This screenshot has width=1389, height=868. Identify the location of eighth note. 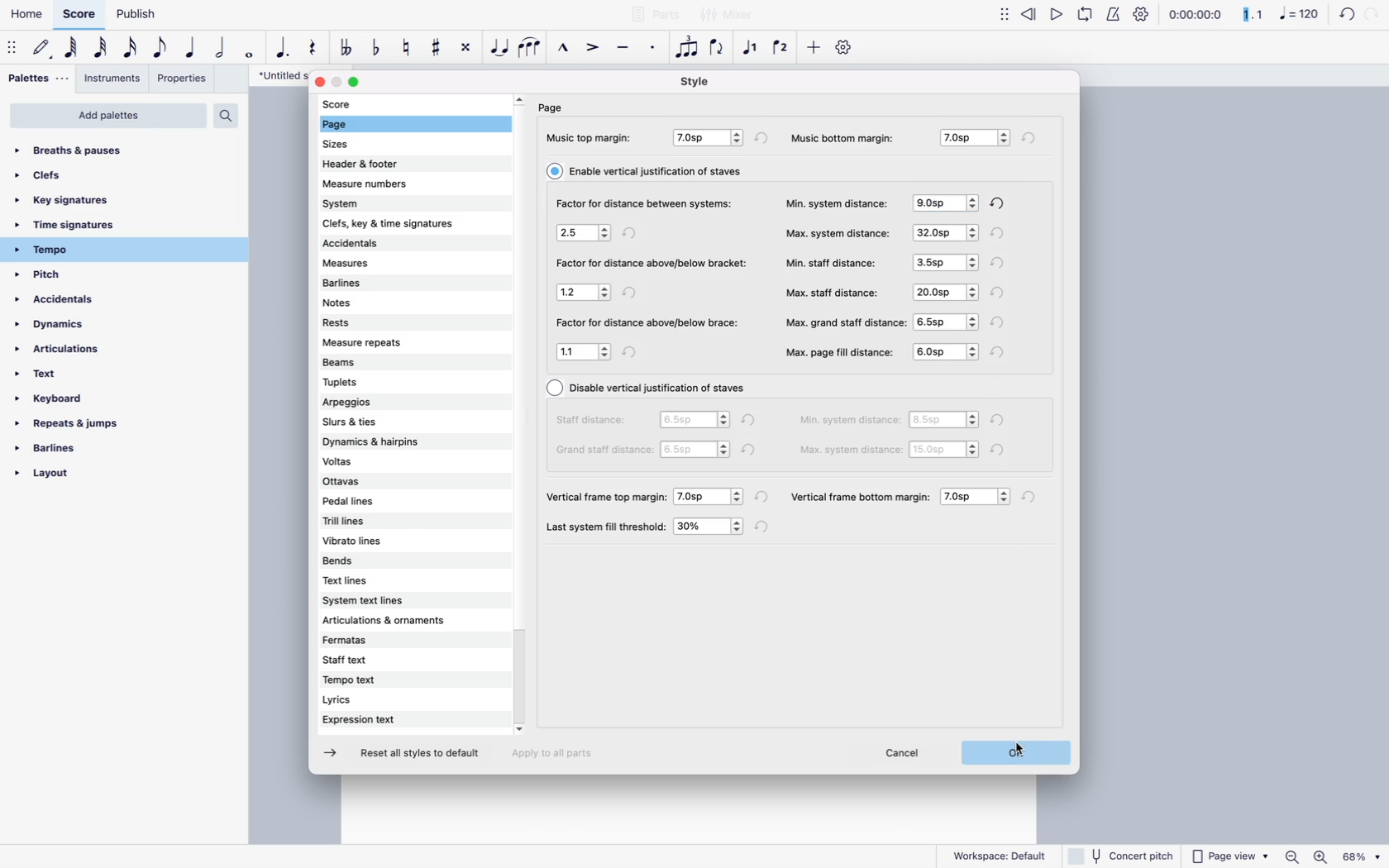
(161, 48).